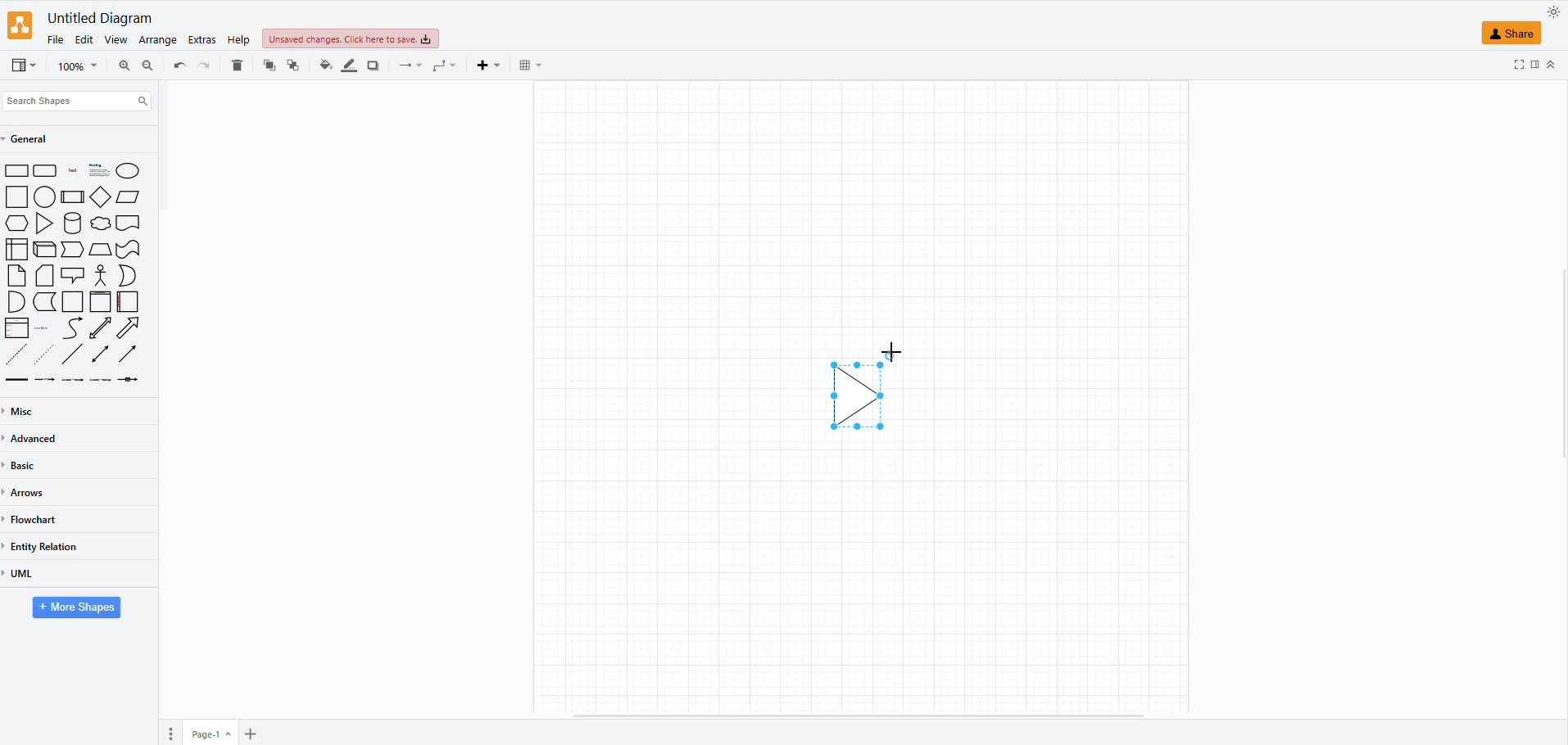 This screenshot has height=745, width=1568. What do you see at coordinates (122, 63) in the screenshot?
I see `zoom out` at bounding box center [122, 63].